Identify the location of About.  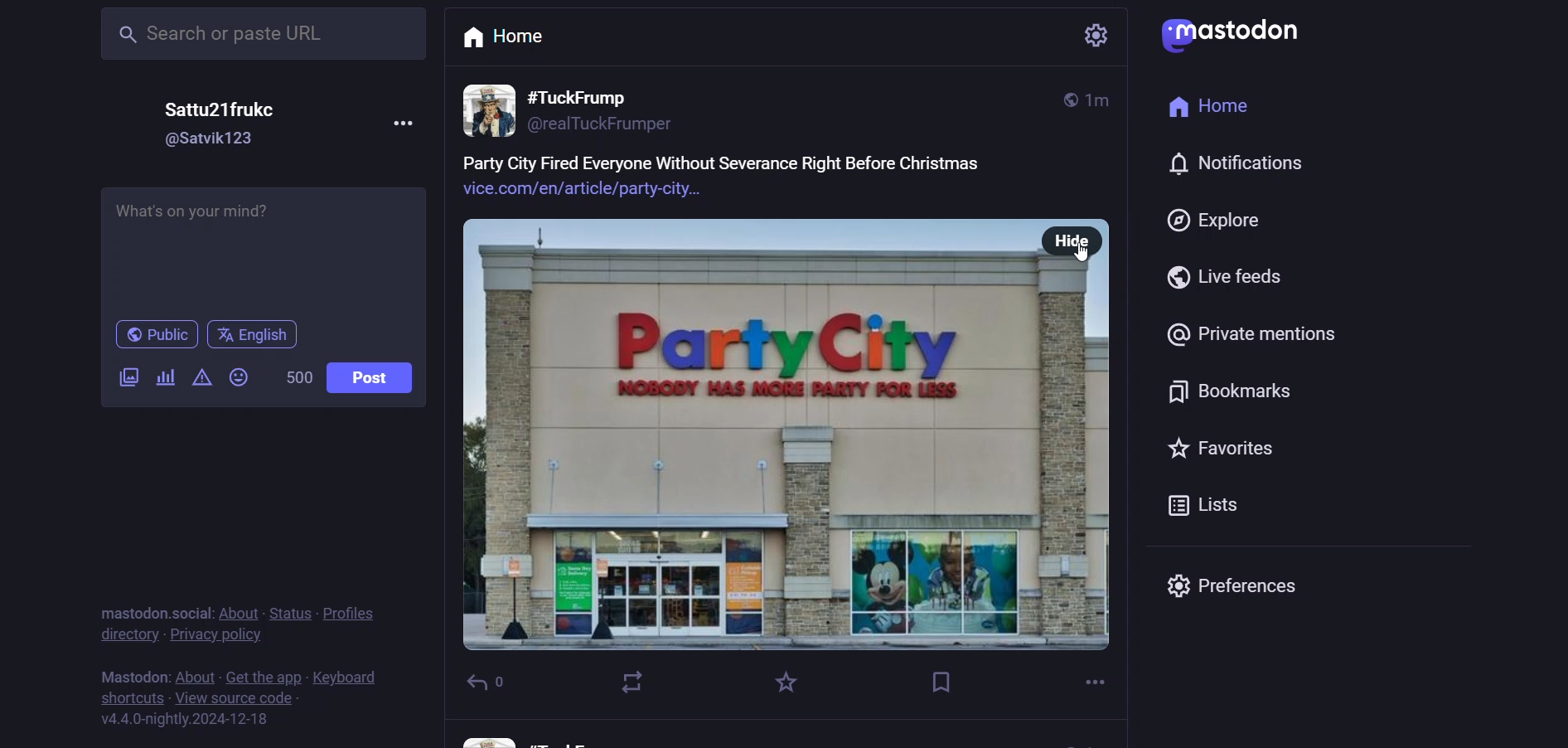
(237, 610).